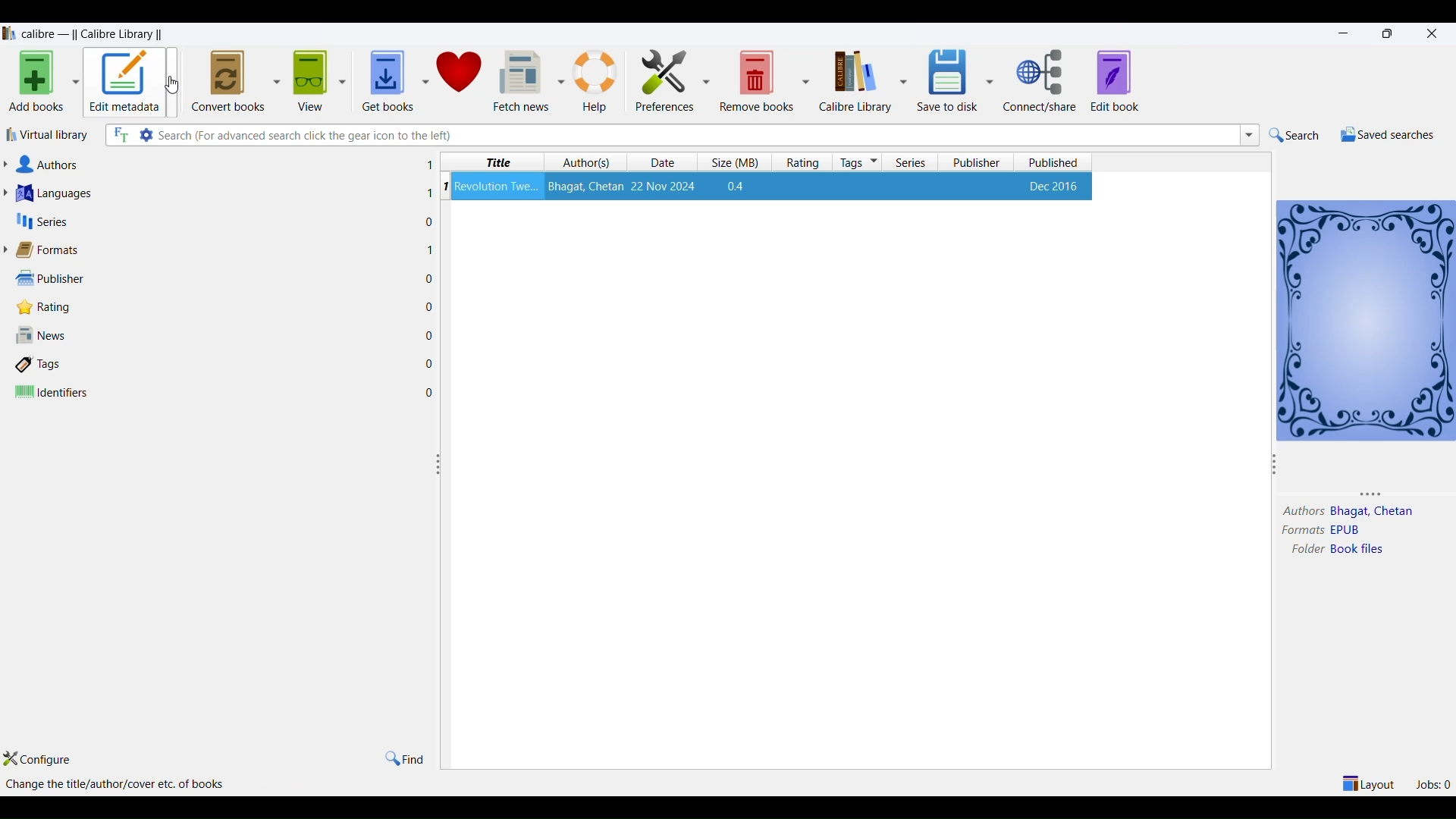 The height and width of the screenshot is (819, 1456). What do you see at coordinates (1040, 82) in the screenshot?
I see `connect/share` at bounding box center [1040, 82].